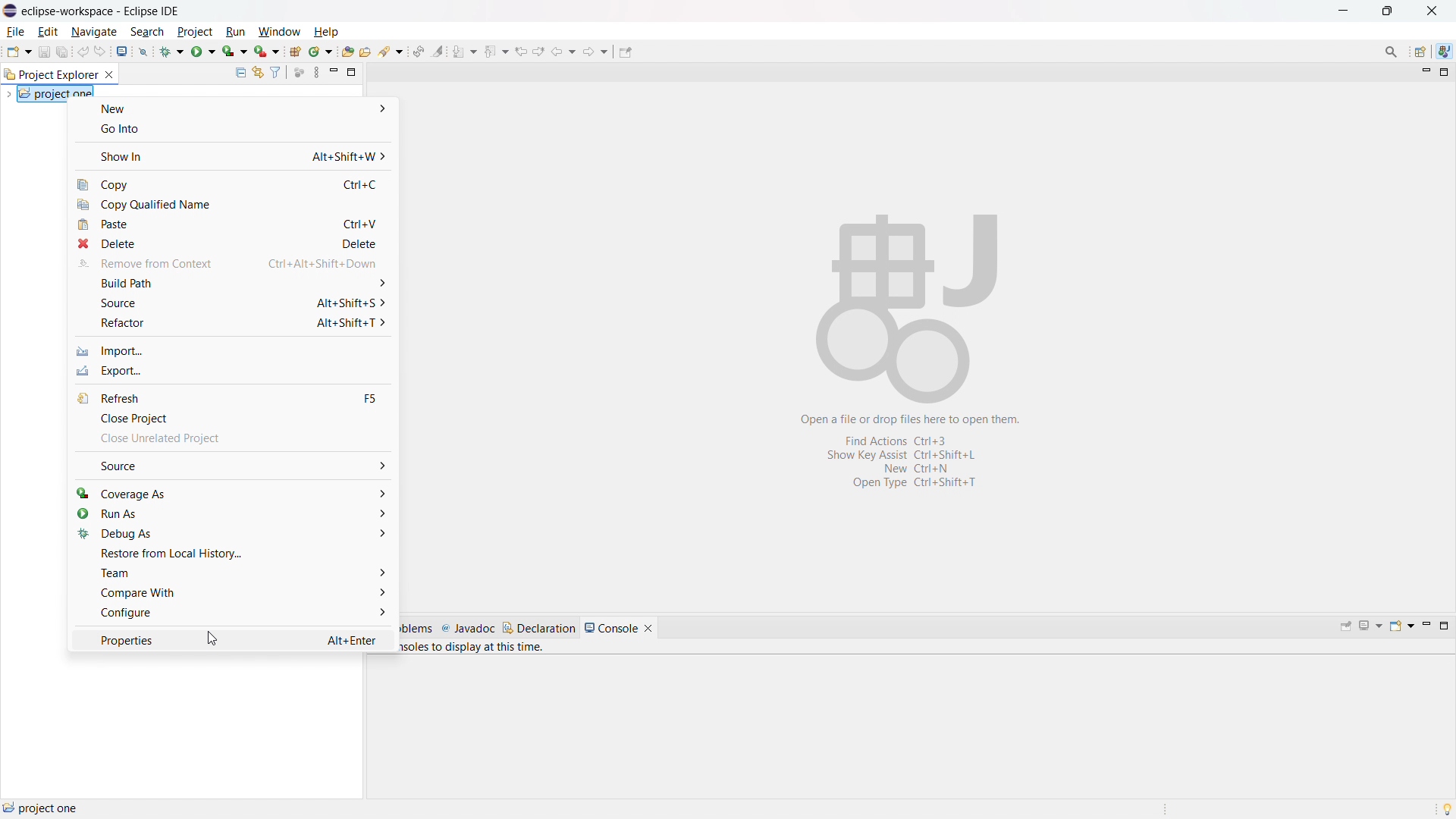 The image size is (1456, 819). I want to click on redo, so click(101, 51).